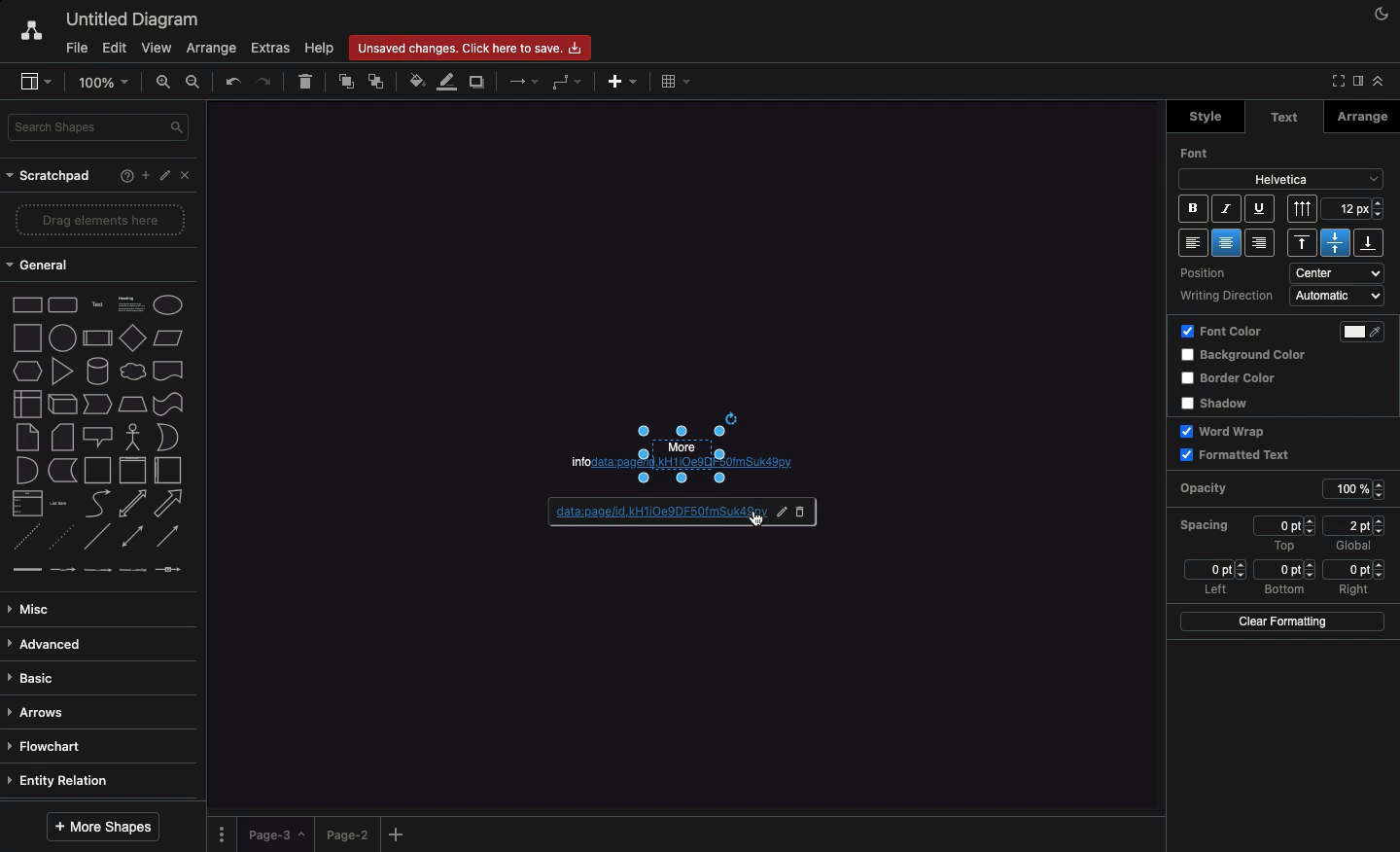 The width and height of the screenshot is (1400, 852). What do you see at coordinates (133, 372) in the screenshot?
I see `cloud` at bounding box center [133, 372].